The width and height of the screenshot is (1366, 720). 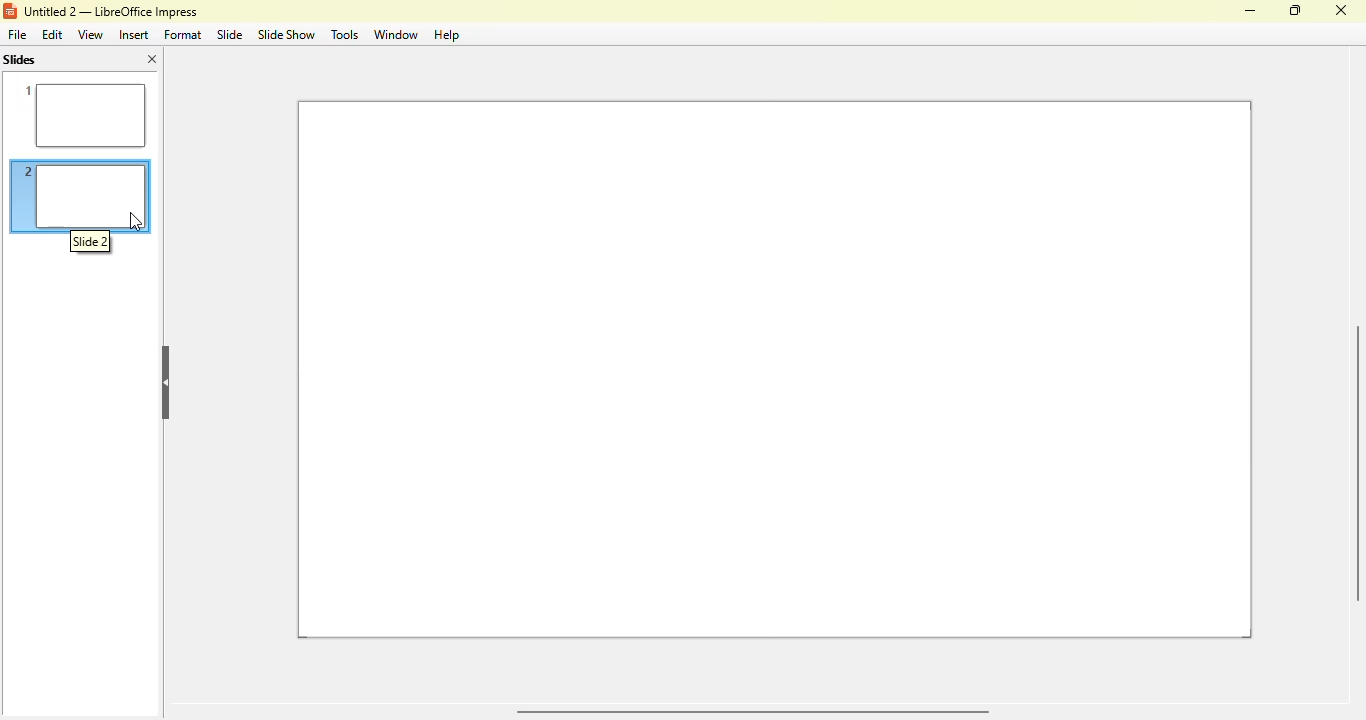 What do you see at coordinates (285, 34) in the screenshot?
I see `slide show` at bounding box center [285, 34].